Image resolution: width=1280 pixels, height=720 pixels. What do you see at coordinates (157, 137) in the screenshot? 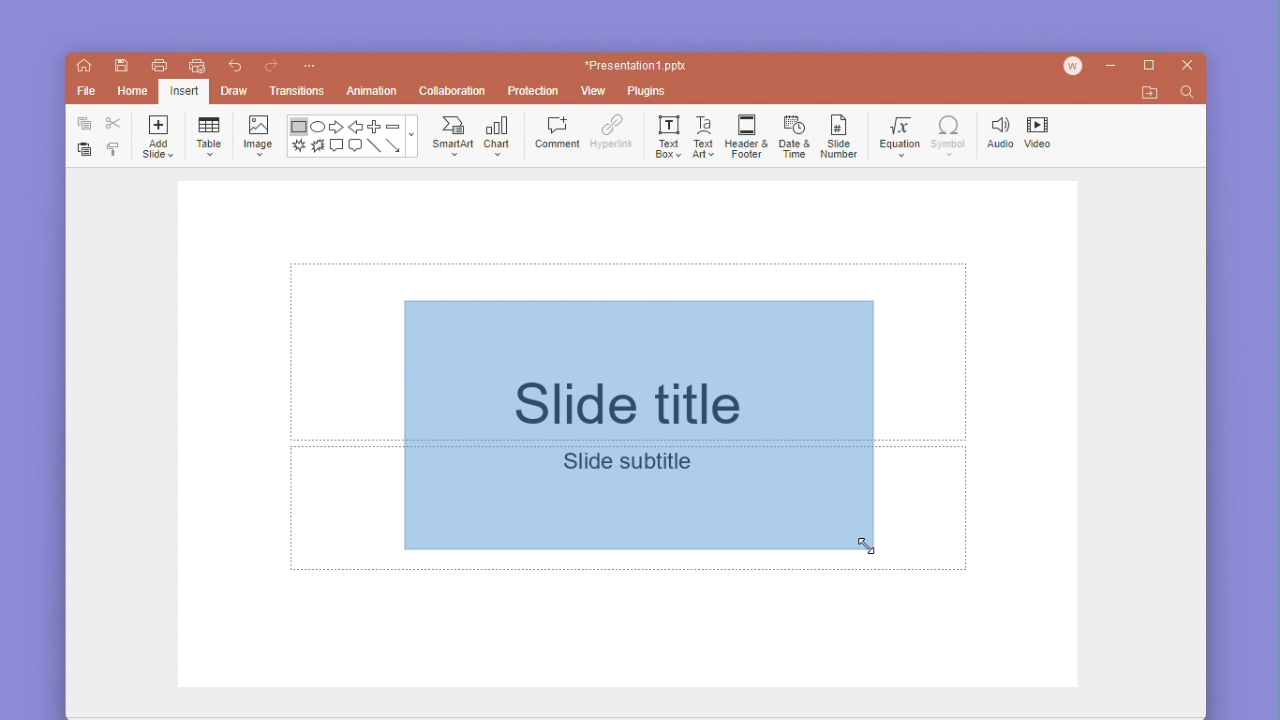
I see `add slide` at bounding box center [157, 137].